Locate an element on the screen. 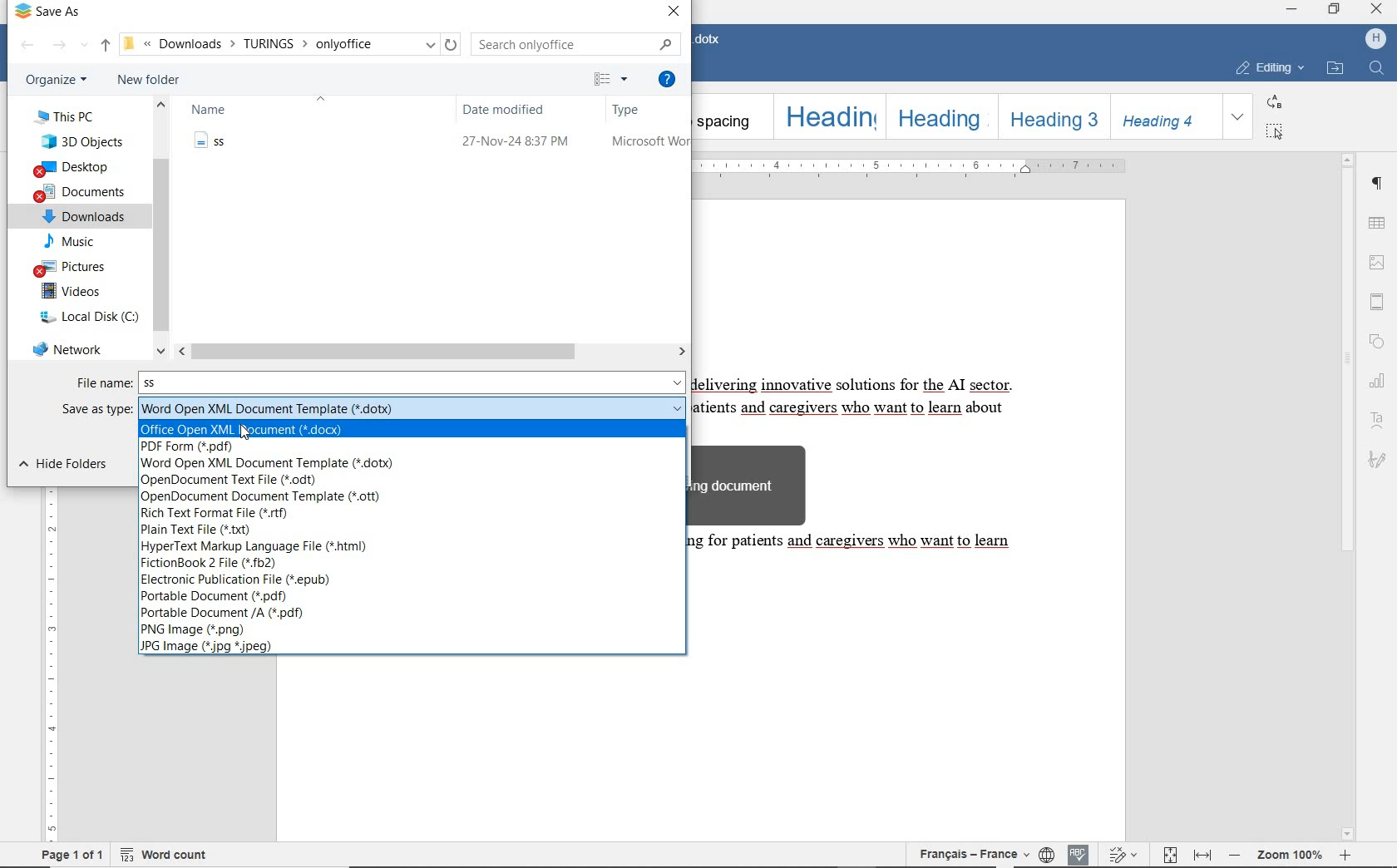 This screenshot has width=1397, height=868. scroll up is located at coordinates (162, 107).